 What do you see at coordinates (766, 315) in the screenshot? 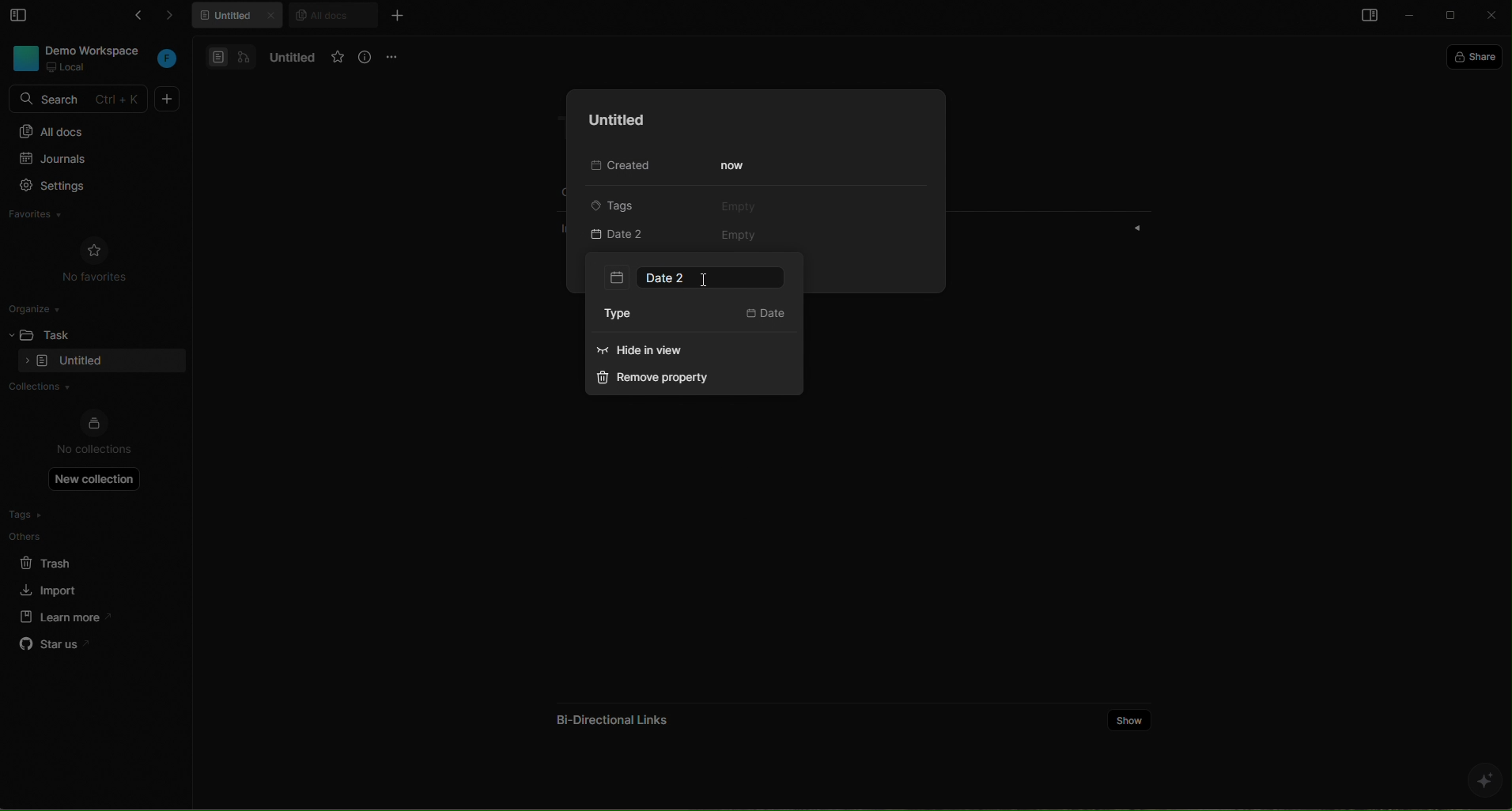
I see `date` at bounding box center [766, 315].